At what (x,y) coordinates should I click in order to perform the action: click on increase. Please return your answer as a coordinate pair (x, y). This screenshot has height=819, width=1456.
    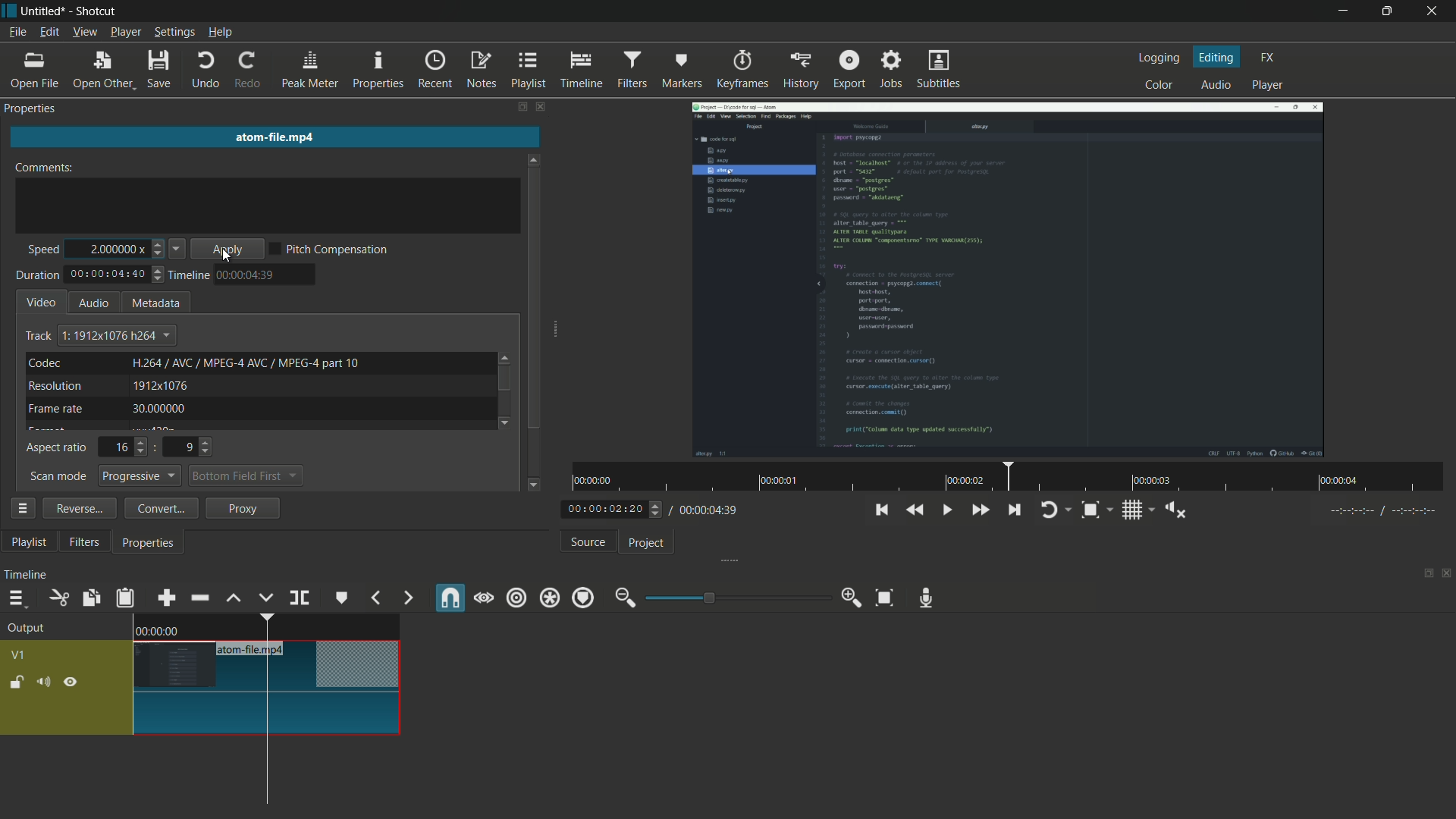
    Looking at the image, I should click on (160, 243).